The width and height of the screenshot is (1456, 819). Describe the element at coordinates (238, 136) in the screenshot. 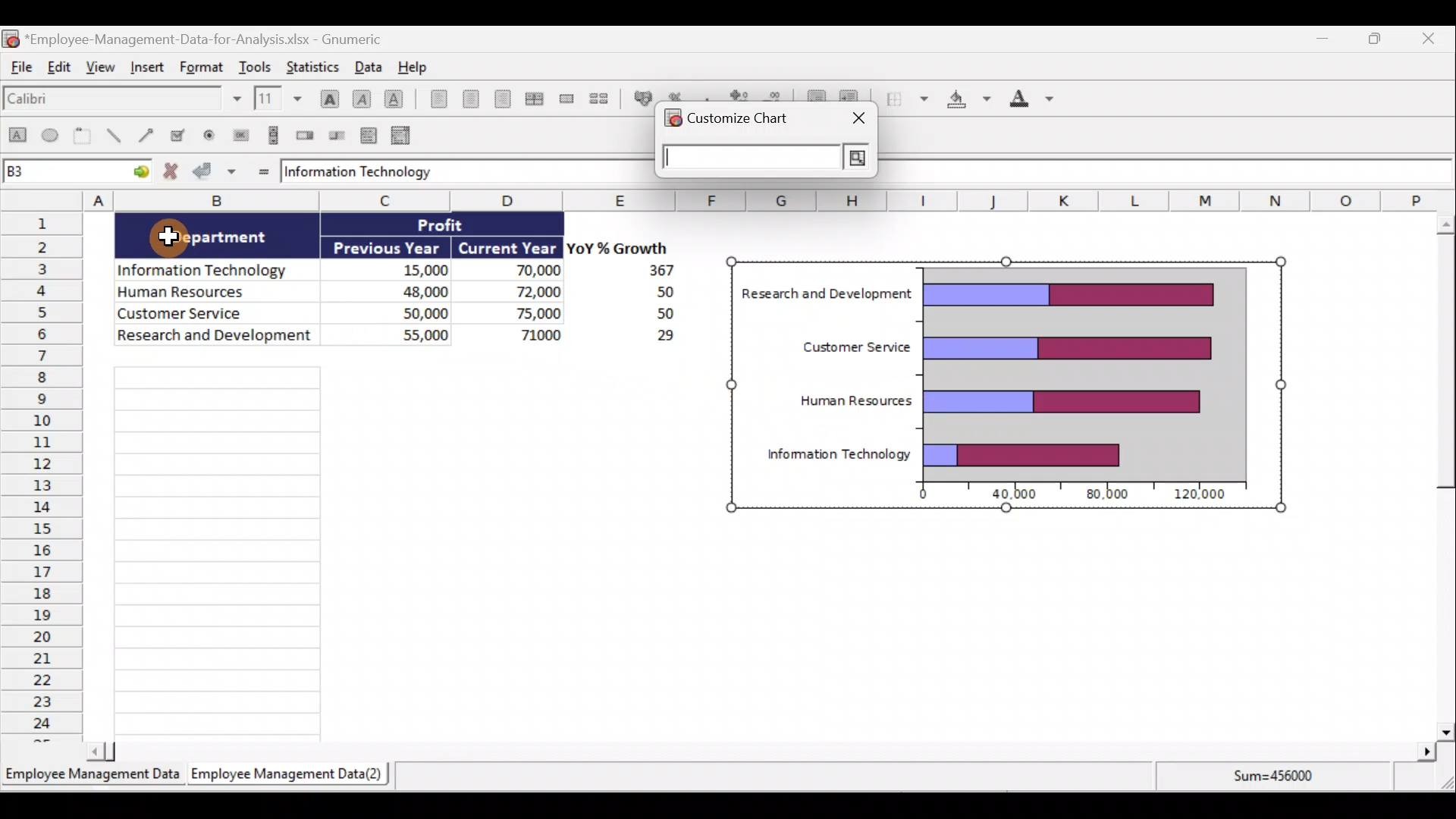

I see `Create a button` at that location.